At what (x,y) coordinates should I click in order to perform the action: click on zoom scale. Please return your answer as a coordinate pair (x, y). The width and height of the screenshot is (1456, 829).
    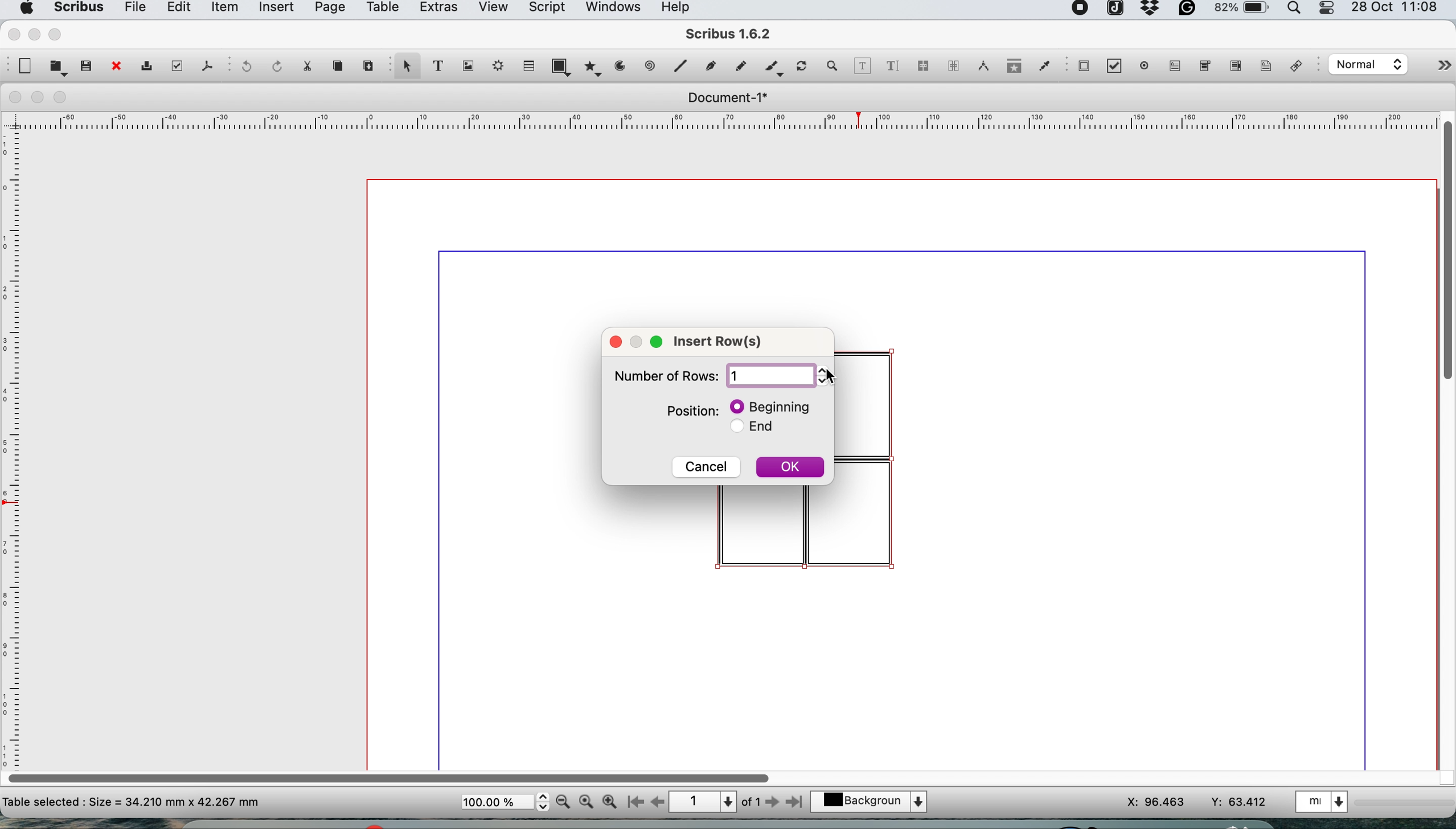
    Looking at the image, I should click on (505, 802).